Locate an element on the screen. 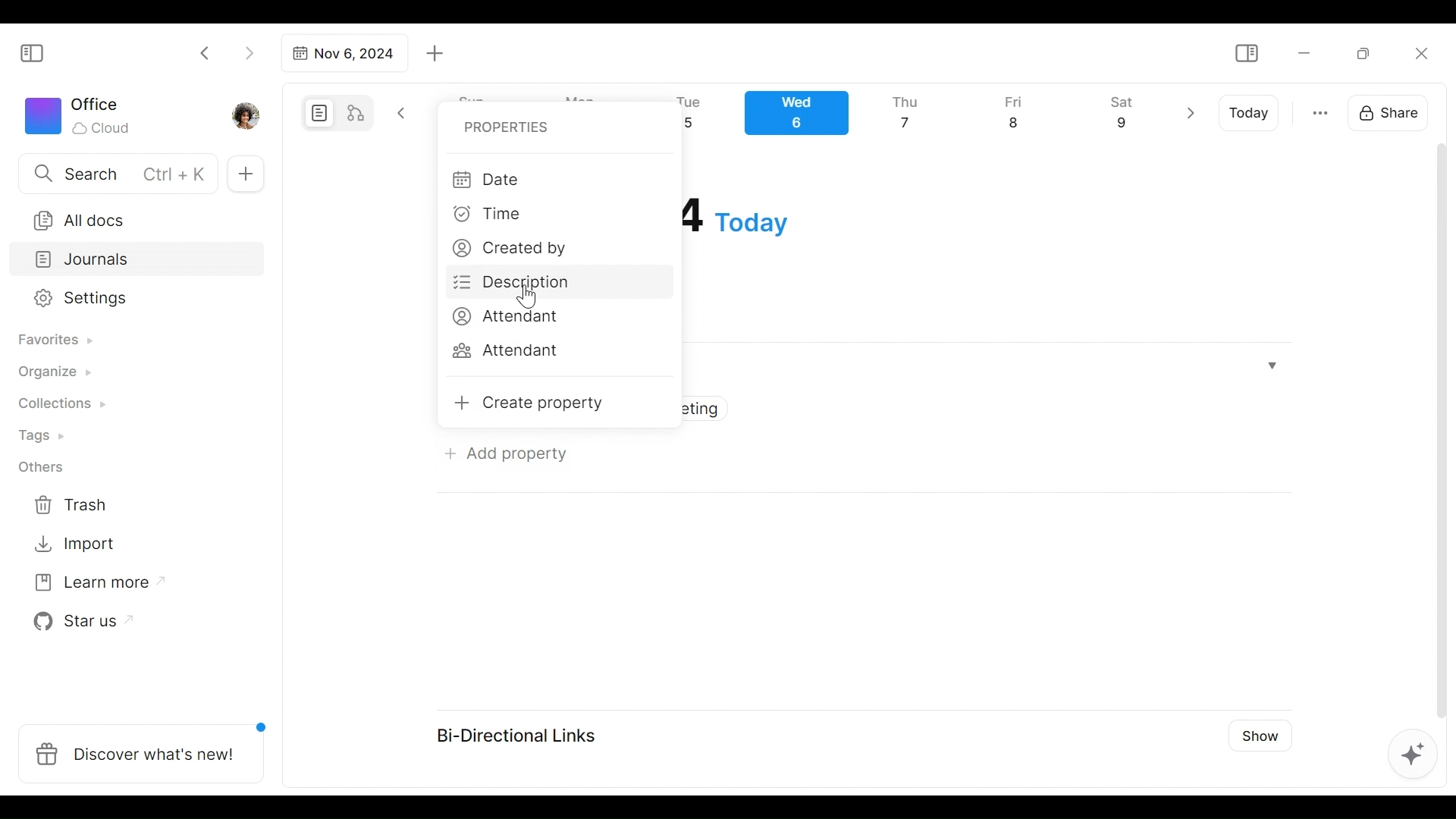  Add new tab is located at coordinates (435, 54).